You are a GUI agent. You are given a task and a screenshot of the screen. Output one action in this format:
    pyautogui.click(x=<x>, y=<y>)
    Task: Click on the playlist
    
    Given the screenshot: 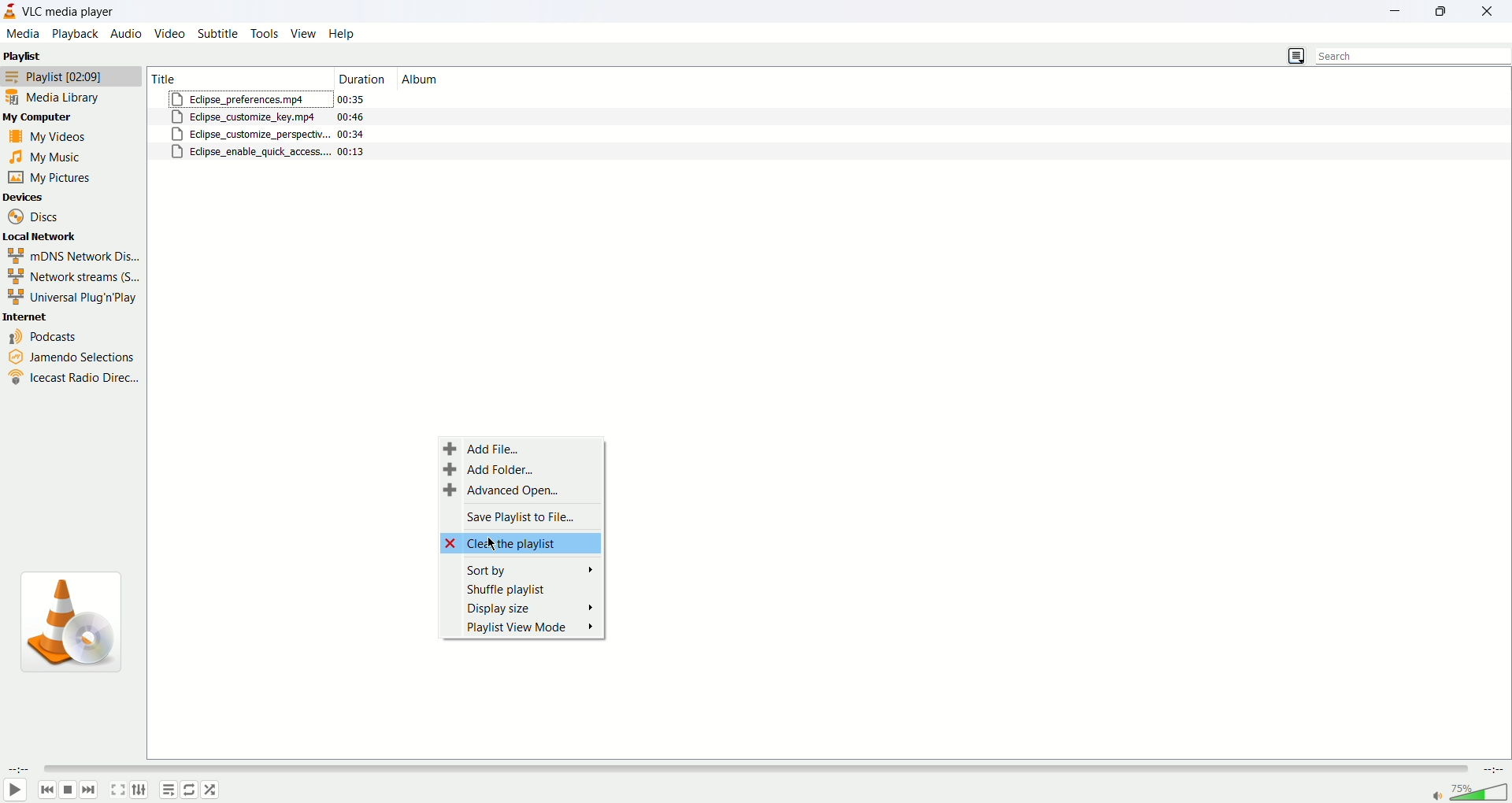 What is the action you would take?
    pyautogui.click(x=72, y=76)
    